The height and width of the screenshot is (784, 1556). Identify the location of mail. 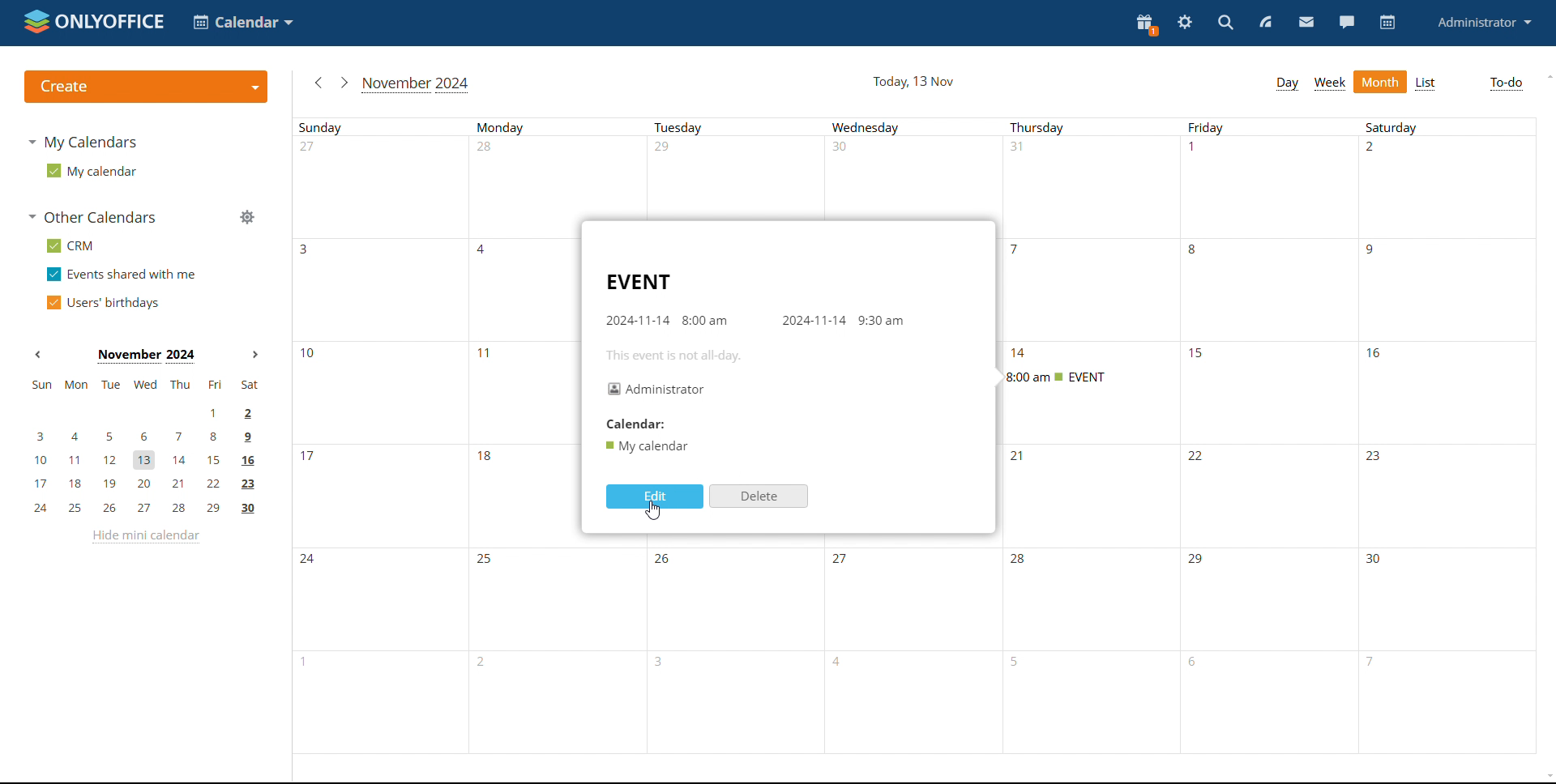
(1306, 22).